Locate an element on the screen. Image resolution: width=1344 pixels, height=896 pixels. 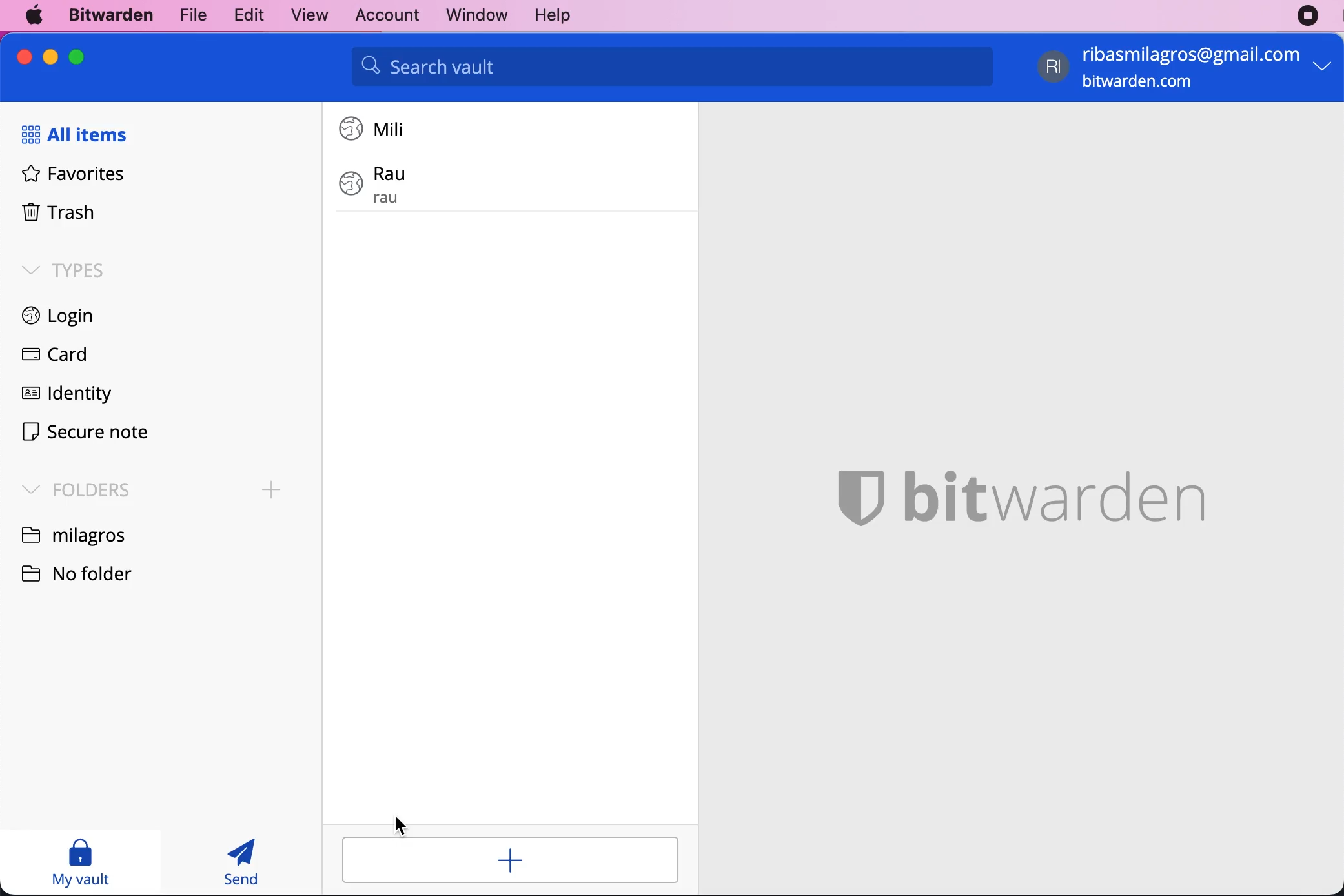
account is located at coordinates (1188, 69).